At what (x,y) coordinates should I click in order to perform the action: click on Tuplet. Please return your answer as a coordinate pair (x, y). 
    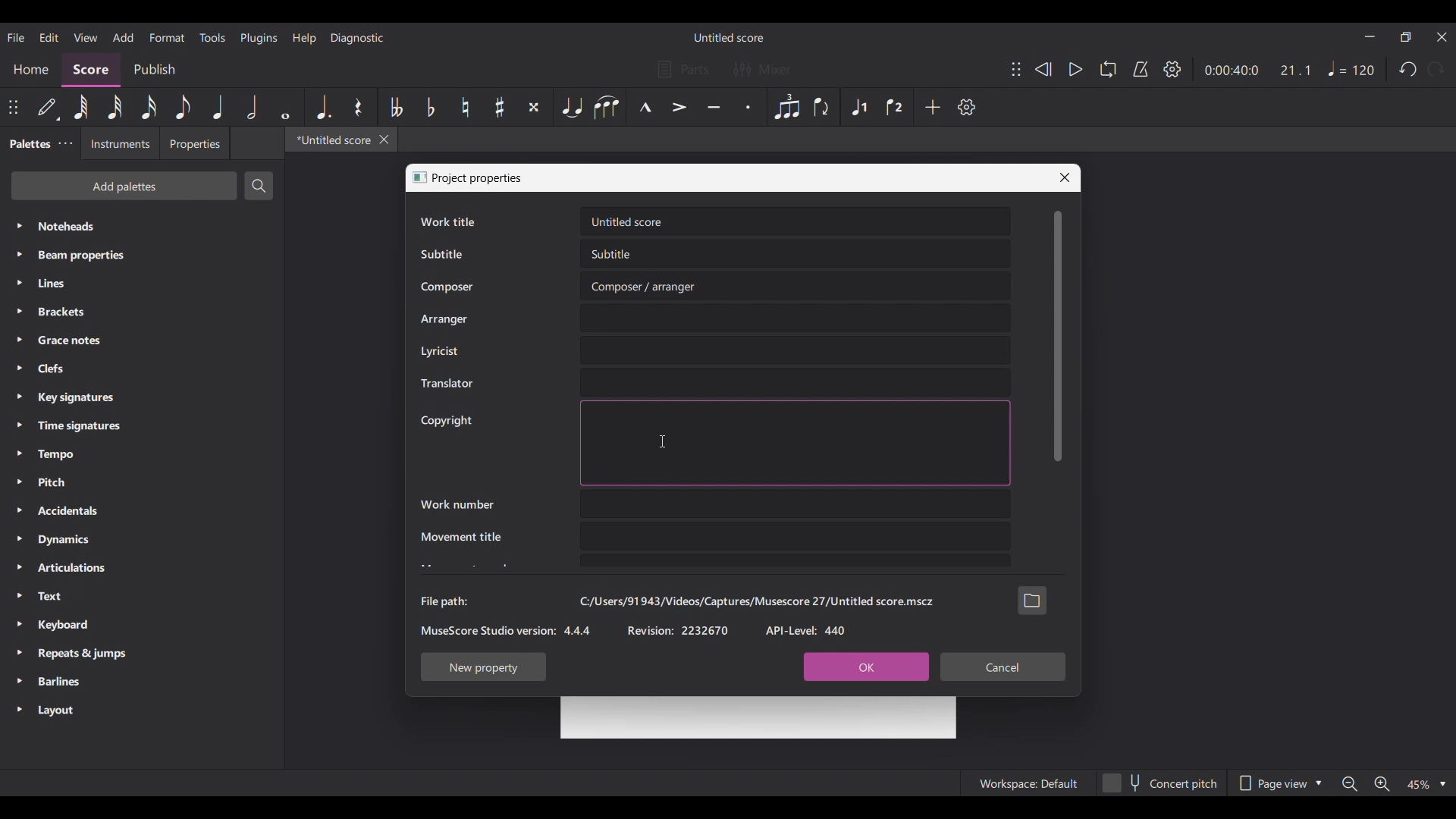
    Looking at the image, I should click on (786, 107).